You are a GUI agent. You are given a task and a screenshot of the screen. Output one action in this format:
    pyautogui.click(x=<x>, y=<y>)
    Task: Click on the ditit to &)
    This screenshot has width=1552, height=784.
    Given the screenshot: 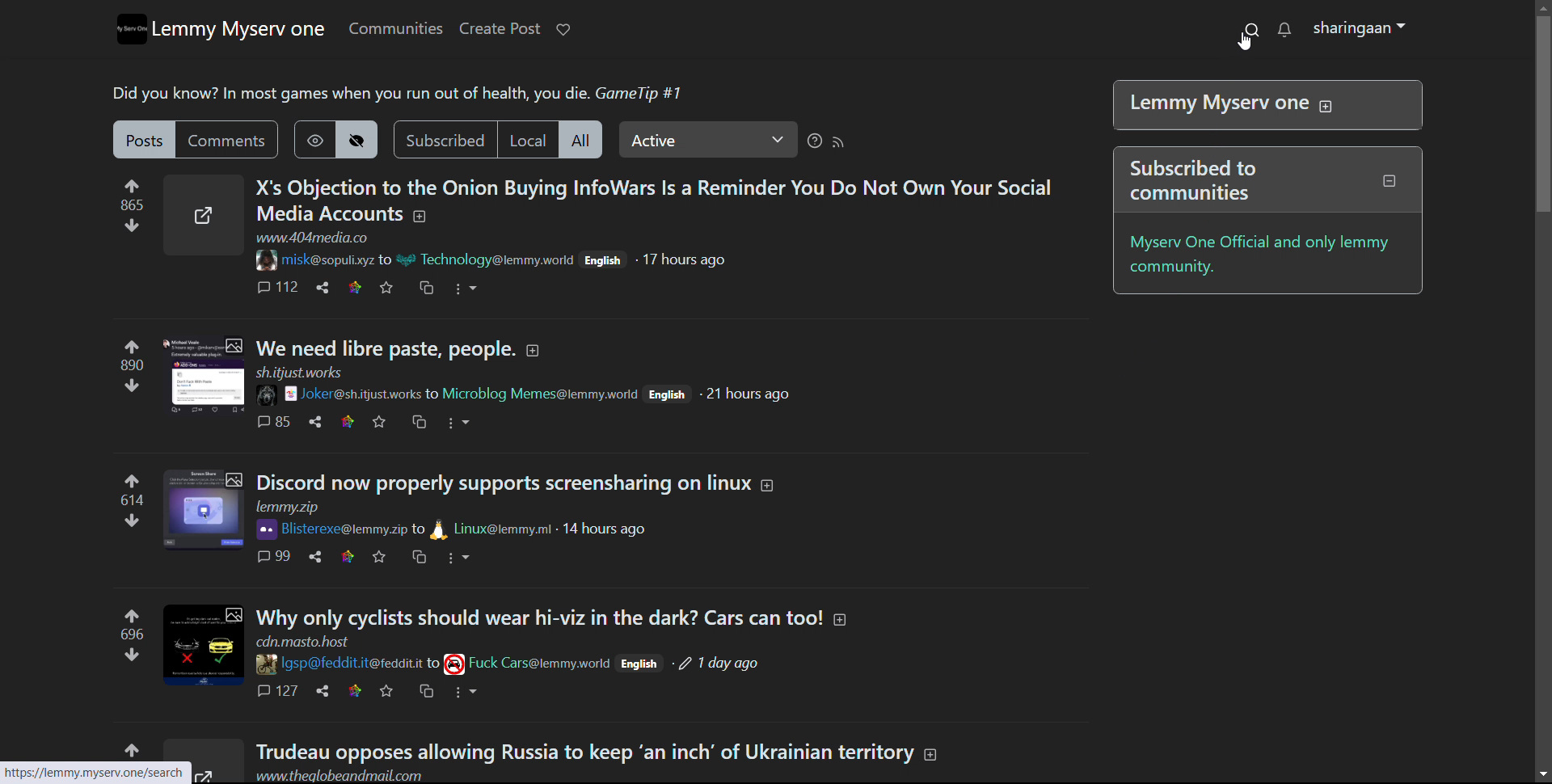 What is the action you would take?
    pyautogui.click(x=643, y=665)
    